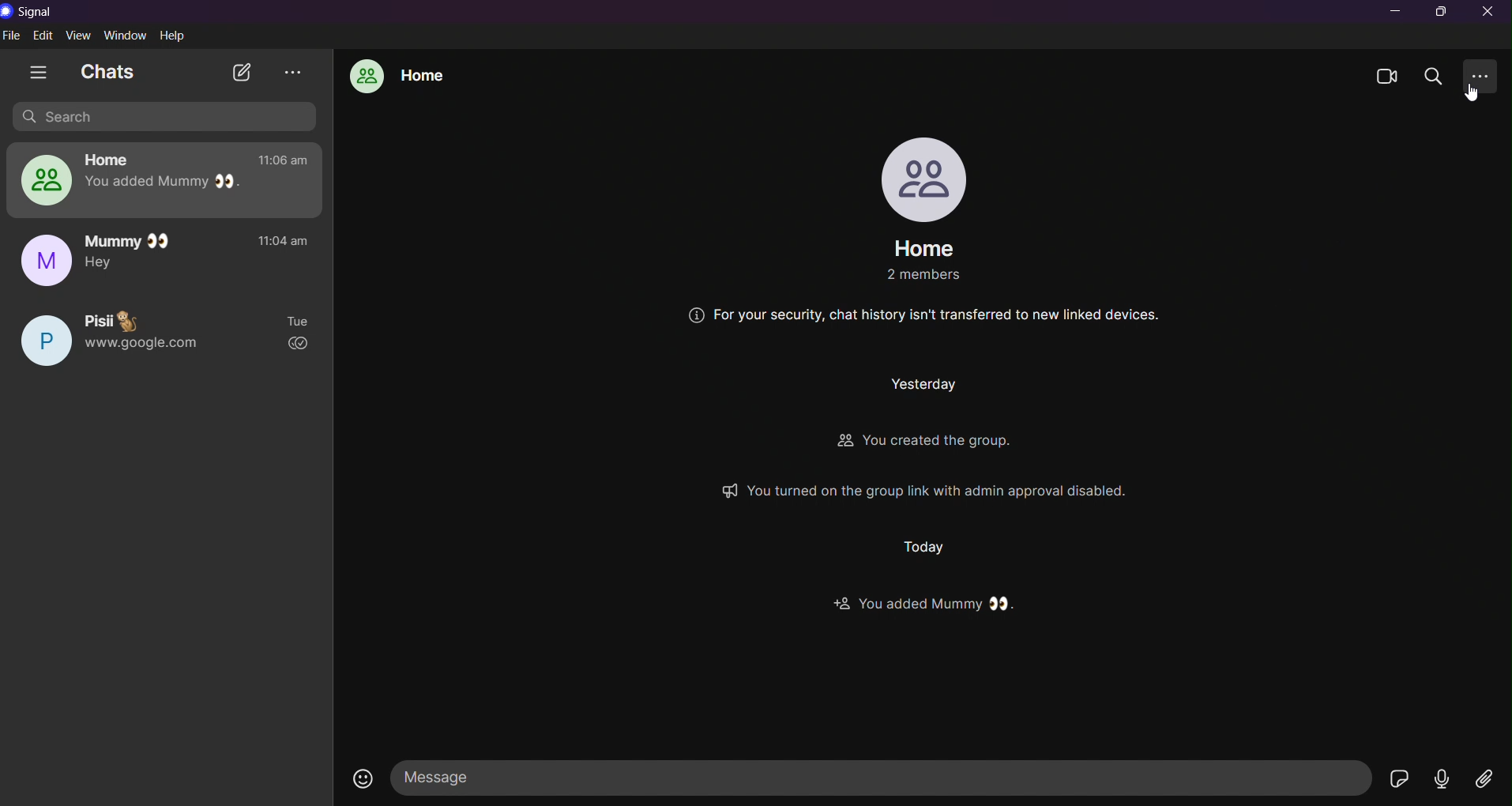 This screenshot has width=1512, height=806. What do you see at coordinates (45, 36) in the screenshot?
I see `edit` at bounding box center [45, 36].